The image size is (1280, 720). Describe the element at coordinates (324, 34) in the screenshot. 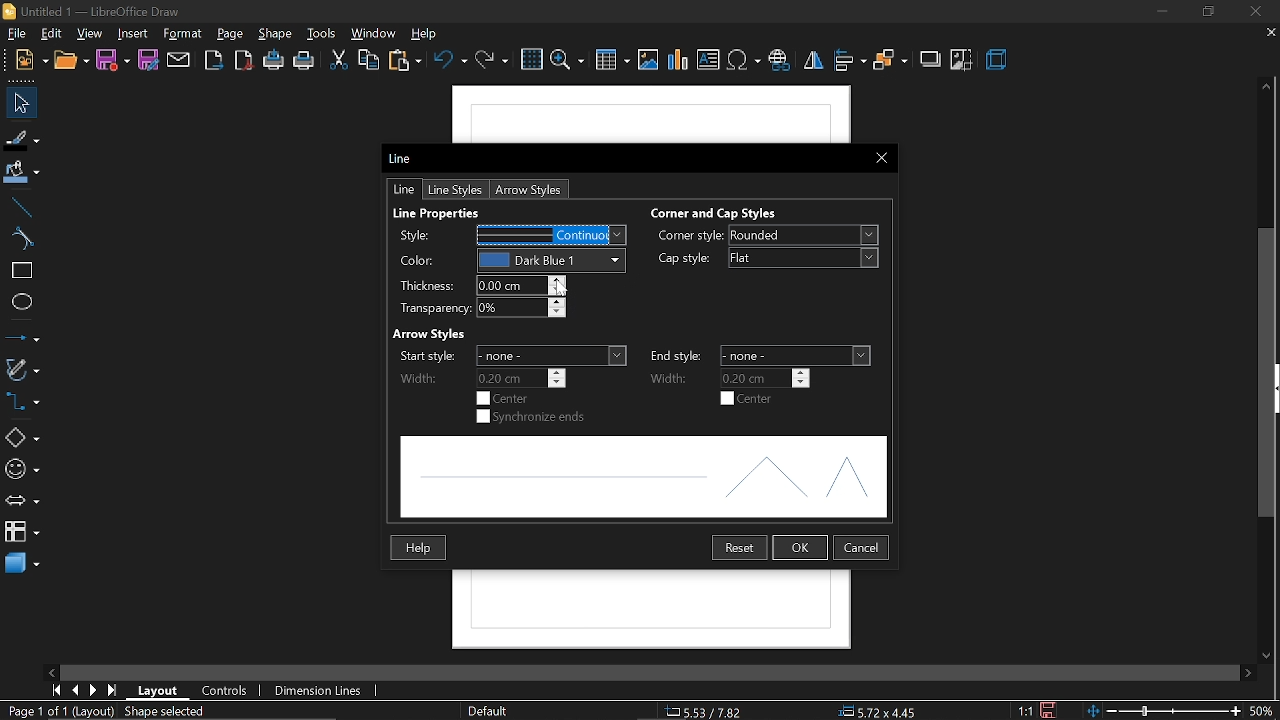

I see `tools` at that location.